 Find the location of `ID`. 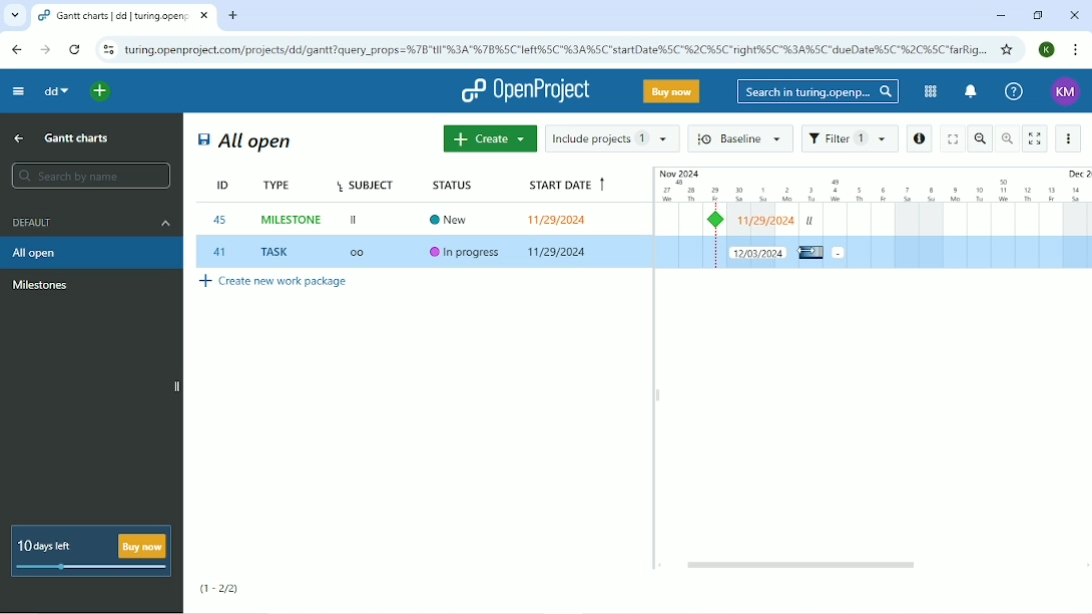

ID is located at coordinates (212, 185).